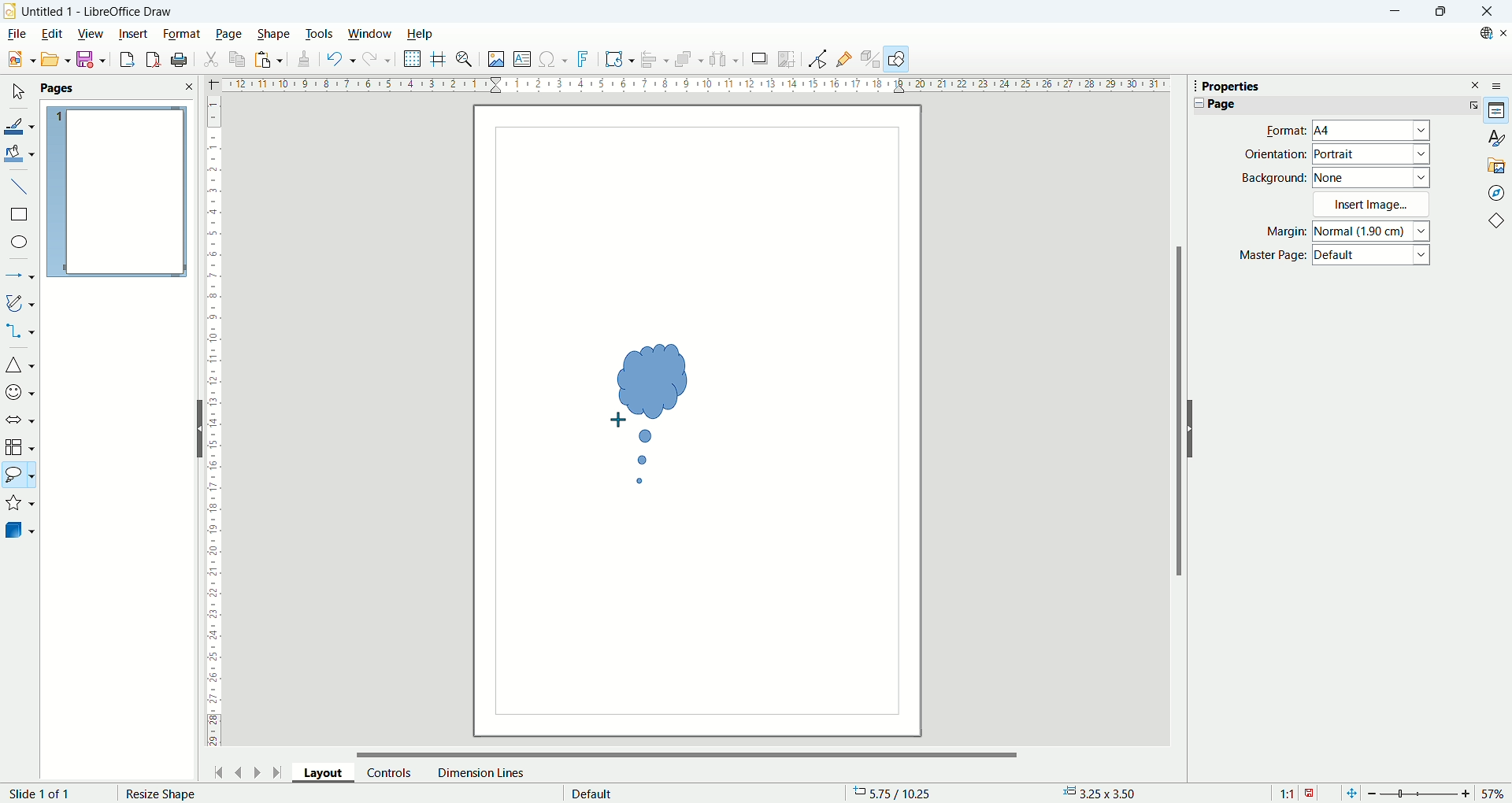 Image resolution: width=1512 pixels, height=803 pixels. Describe the element at coordinates (1273, 256) in the screenshot. I see `Master Page` at that location.